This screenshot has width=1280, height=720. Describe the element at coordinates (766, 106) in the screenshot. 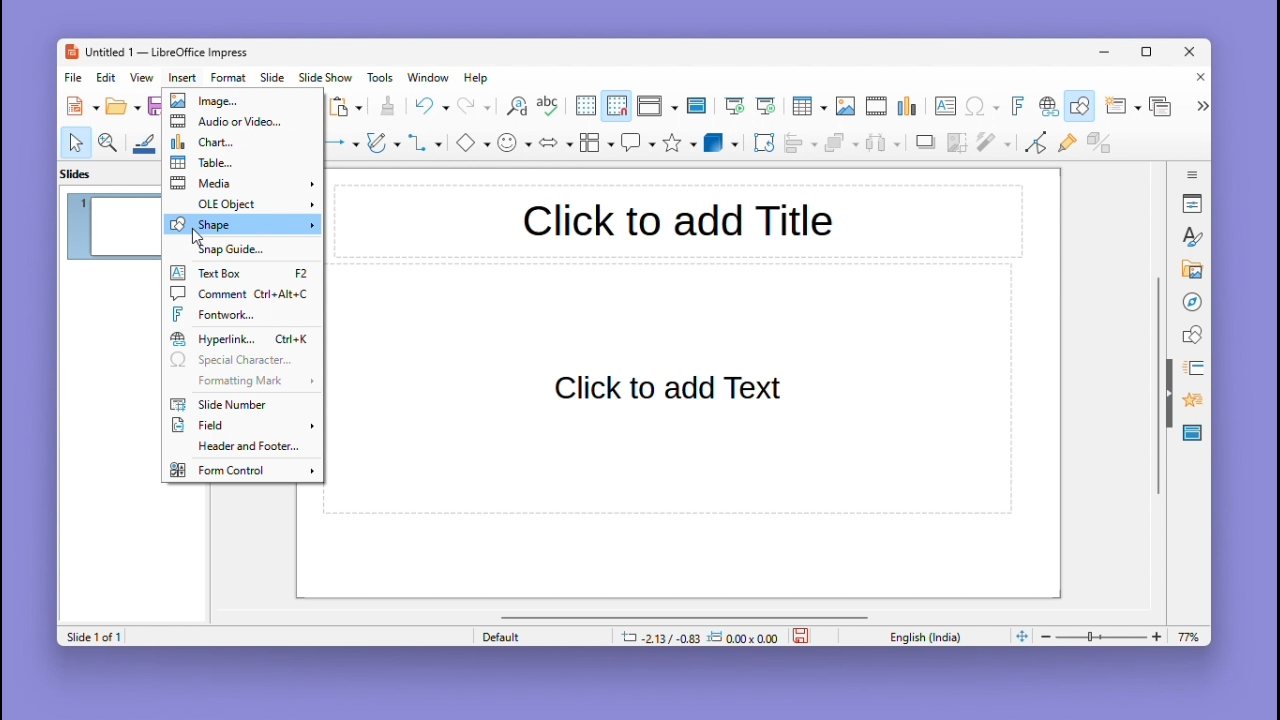

I see `Last slide` at that location.